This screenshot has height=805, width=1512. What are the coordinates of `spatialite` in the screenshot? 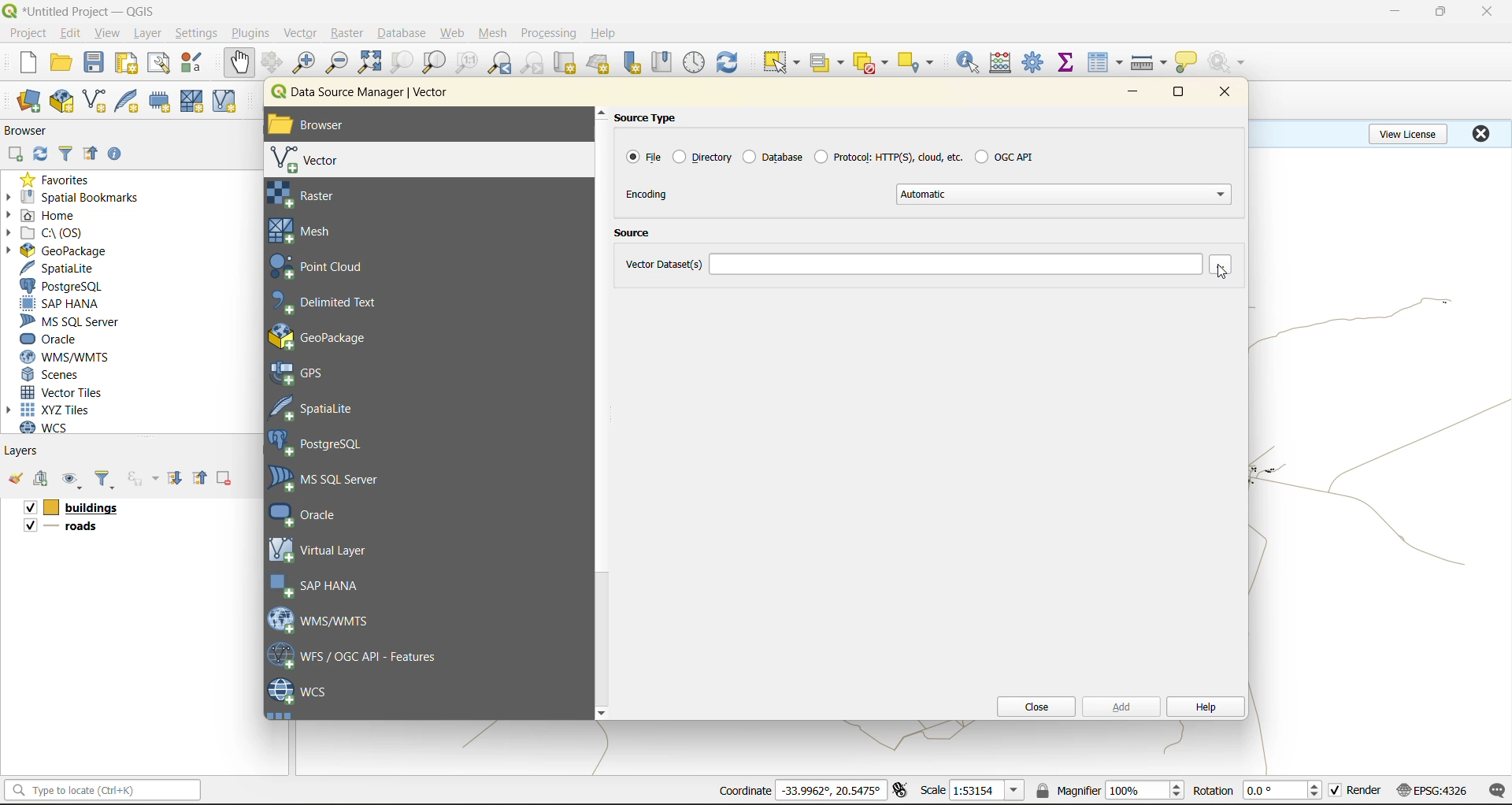 It's located at (65, 269).